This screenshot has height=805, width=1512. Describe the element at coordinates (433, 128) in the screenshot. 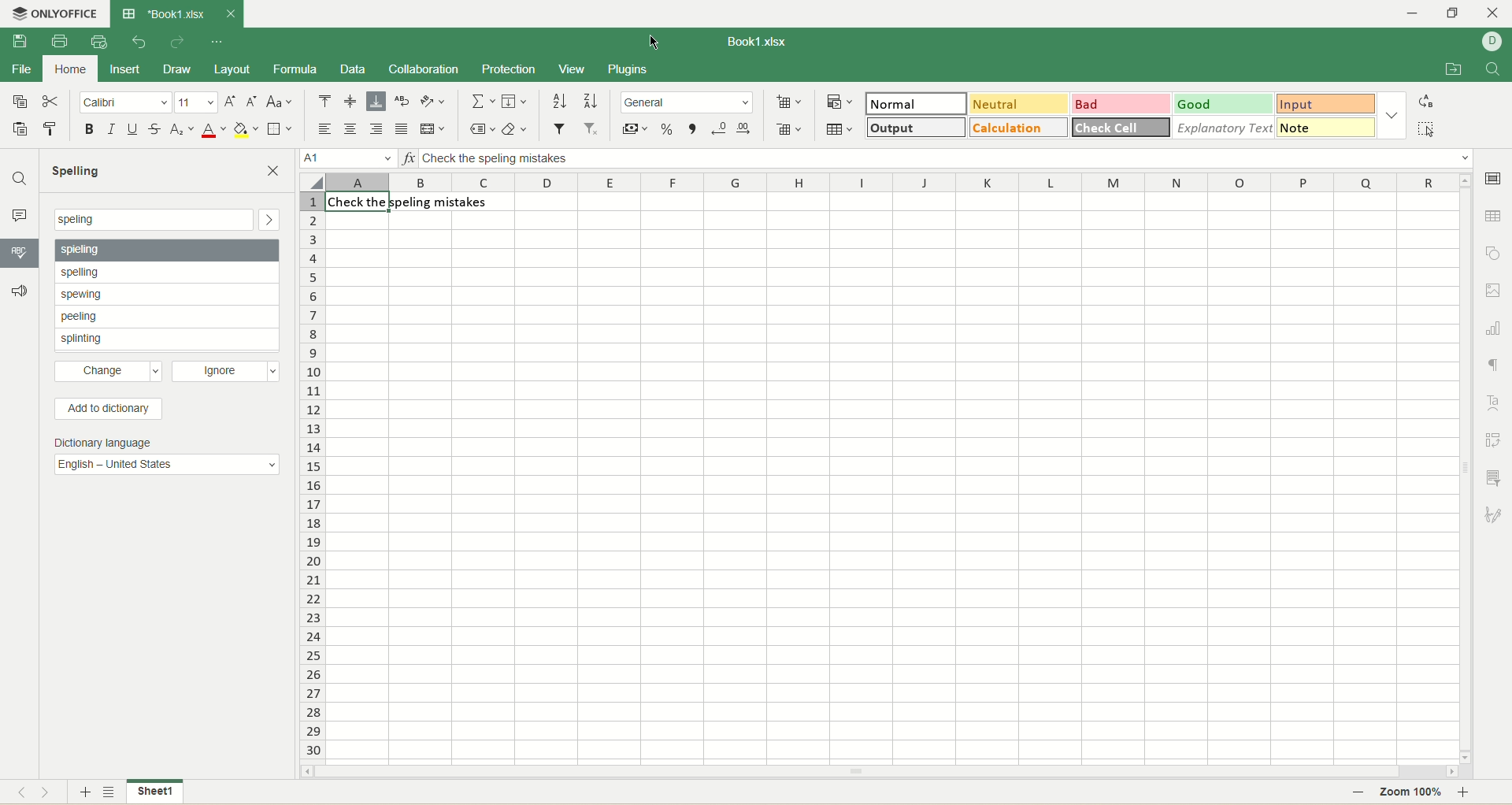

I see `merge and center` at that location.